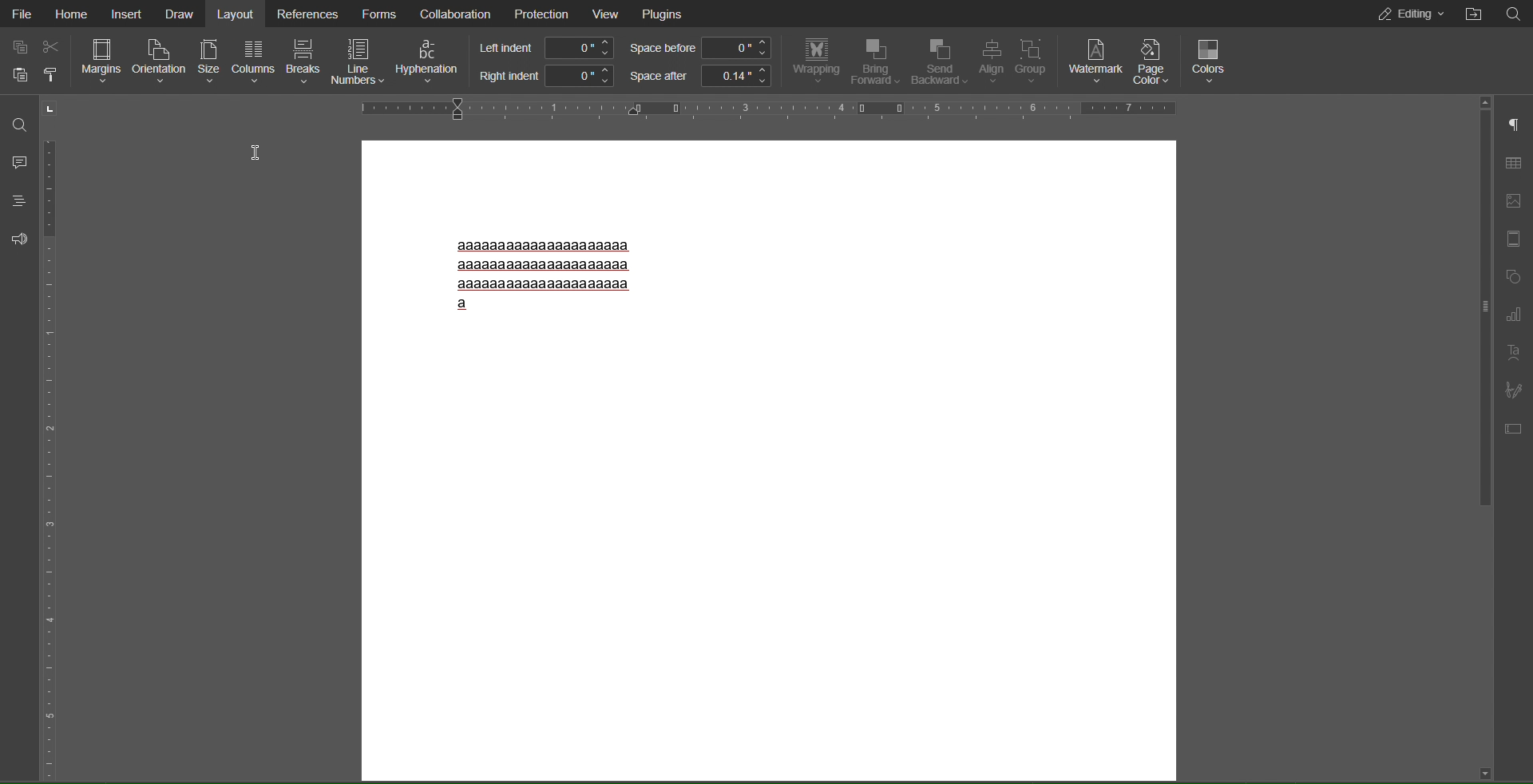 The image size is (1533, 784). I want to click on Insert, so click(125, 14).